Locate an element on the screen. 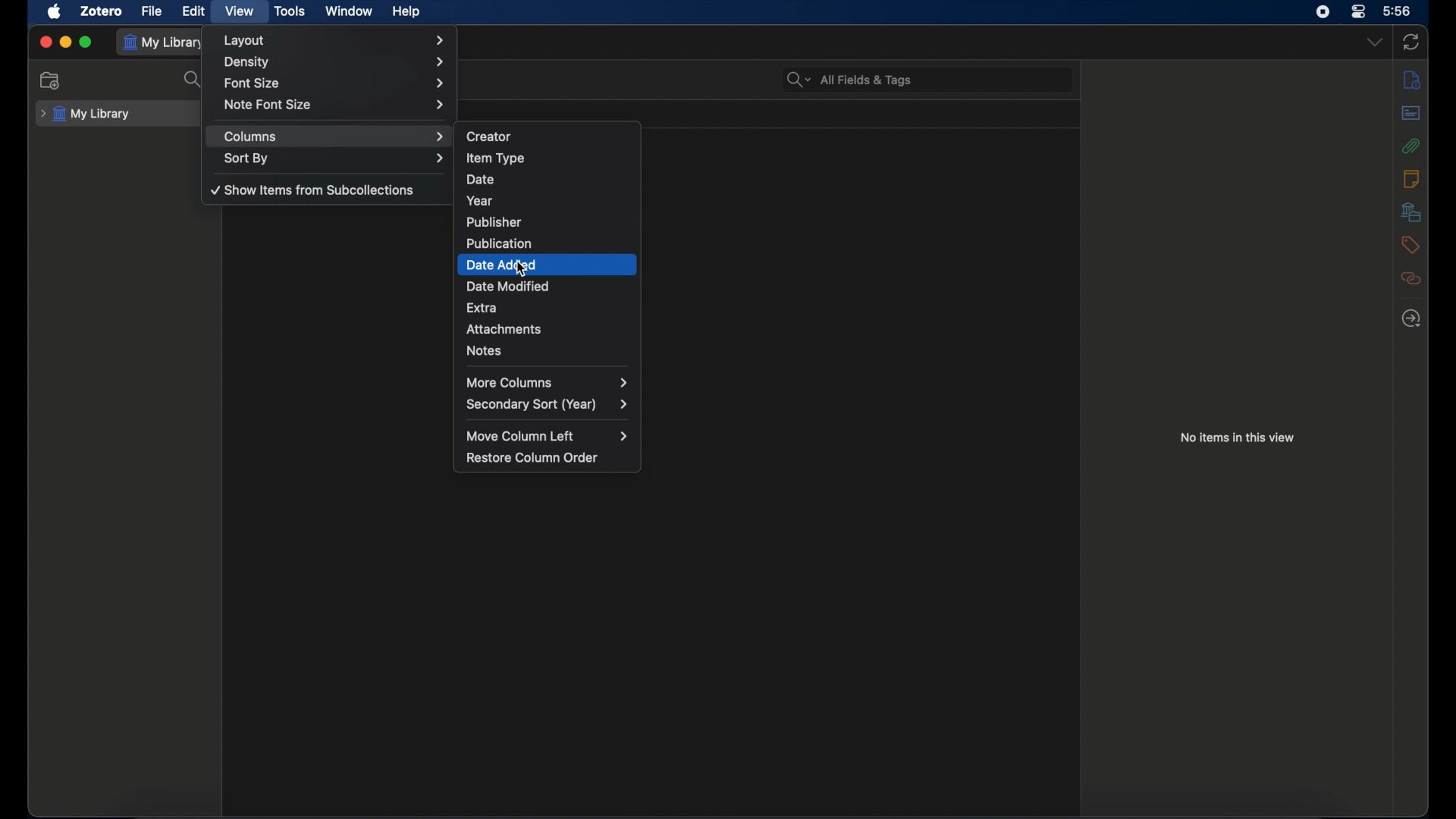 The image size is (1456, 819). extra is located at coordinates (547, 308).